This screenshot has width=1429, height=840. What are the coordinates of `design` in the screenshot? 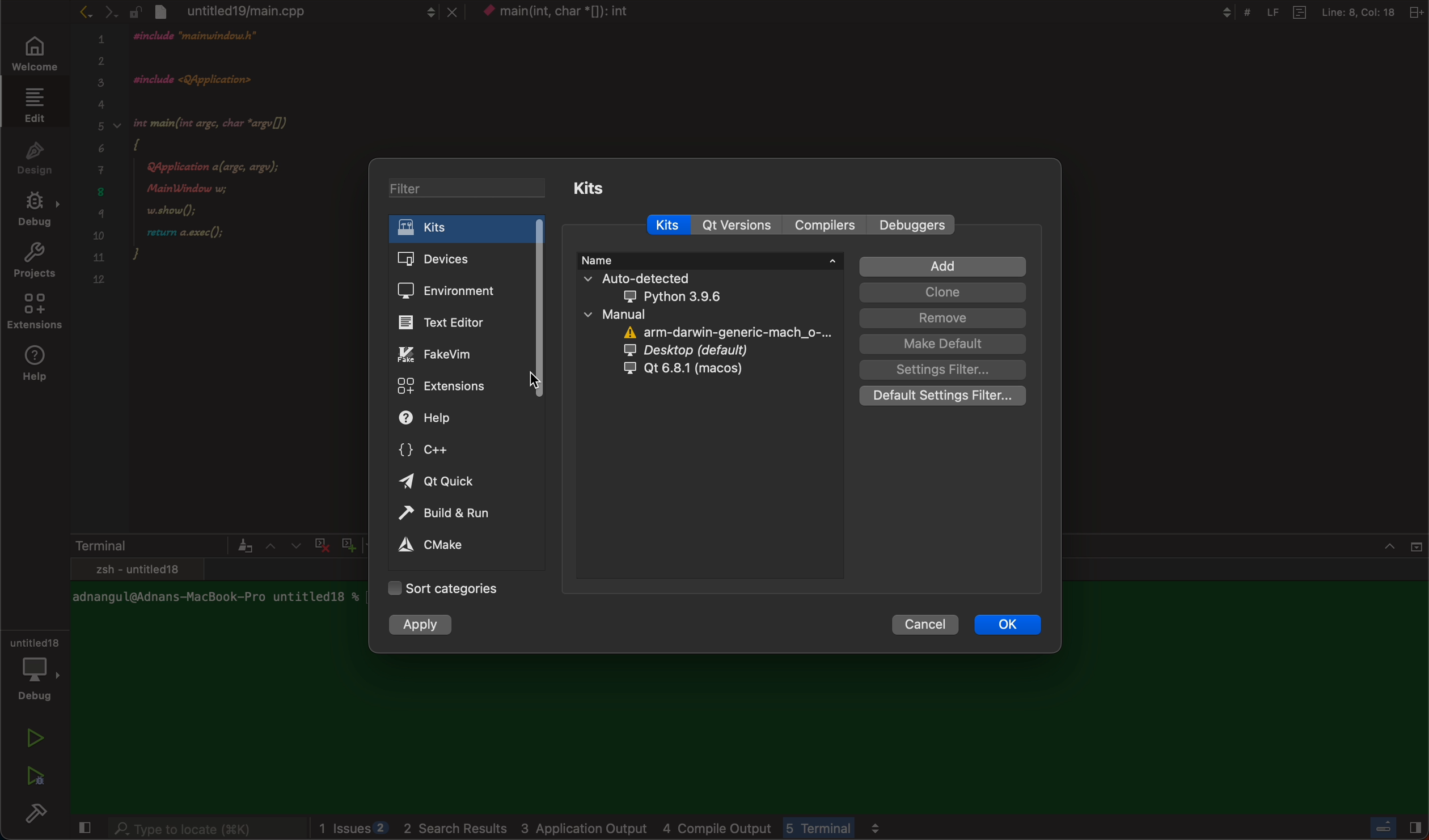 It's located at (35, 156).